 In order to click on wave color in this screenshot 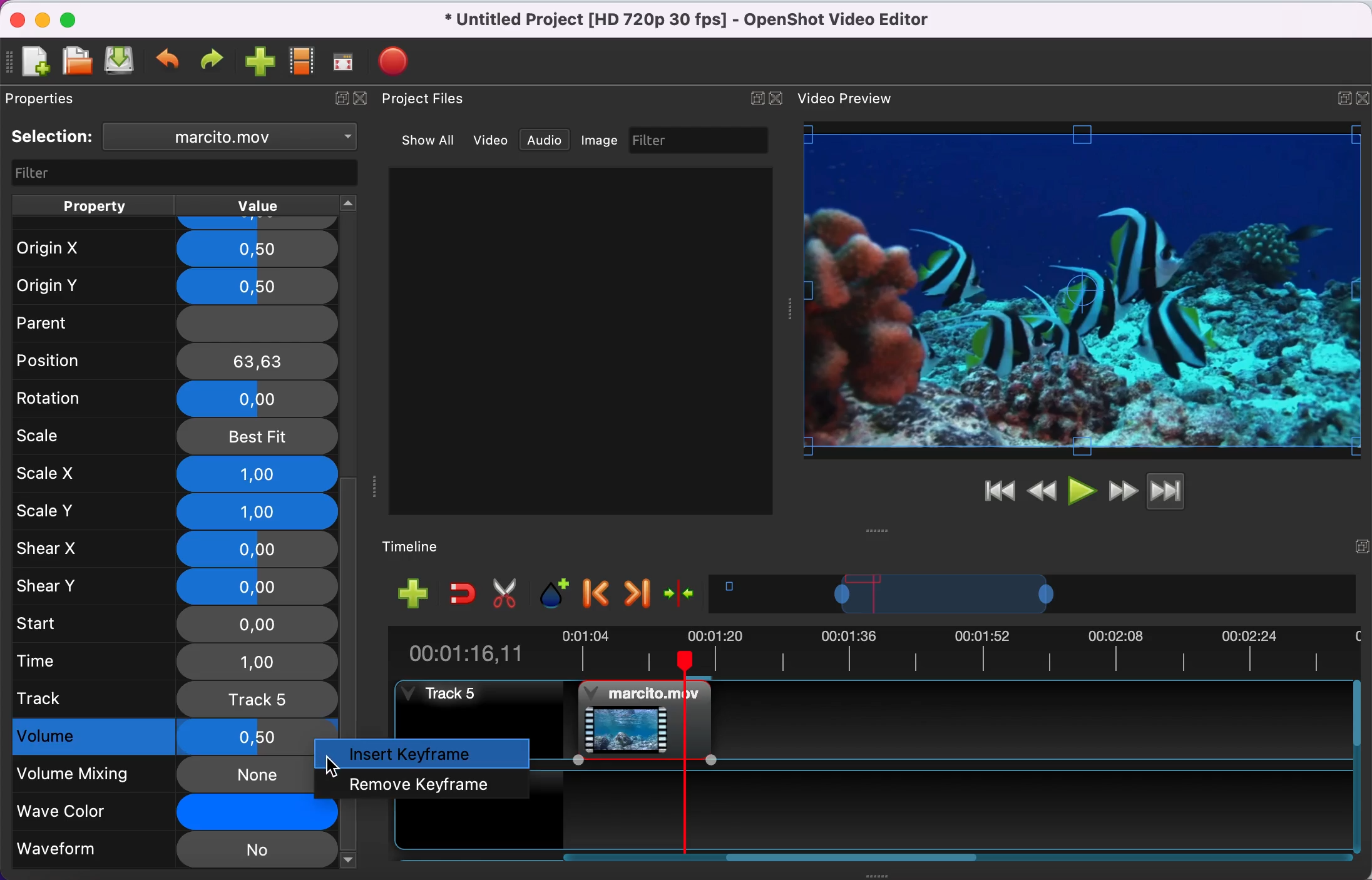, I will do `click(153, 812)`.